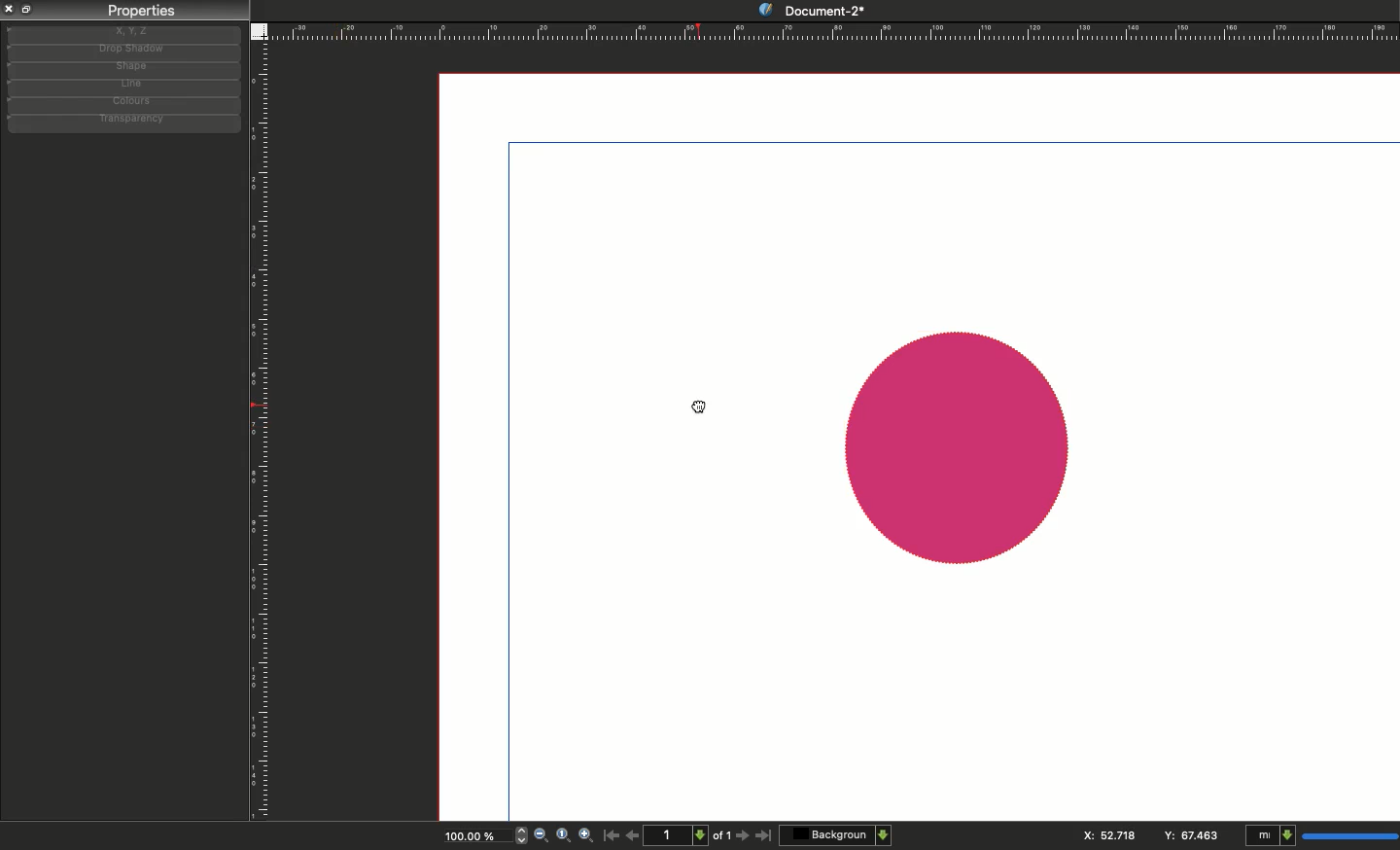 This screenshot has width=1400, height=850. What do you see at coordinates (125, 121) in the screenshot?
I see `Transparency` at bounding box center [125, 121].